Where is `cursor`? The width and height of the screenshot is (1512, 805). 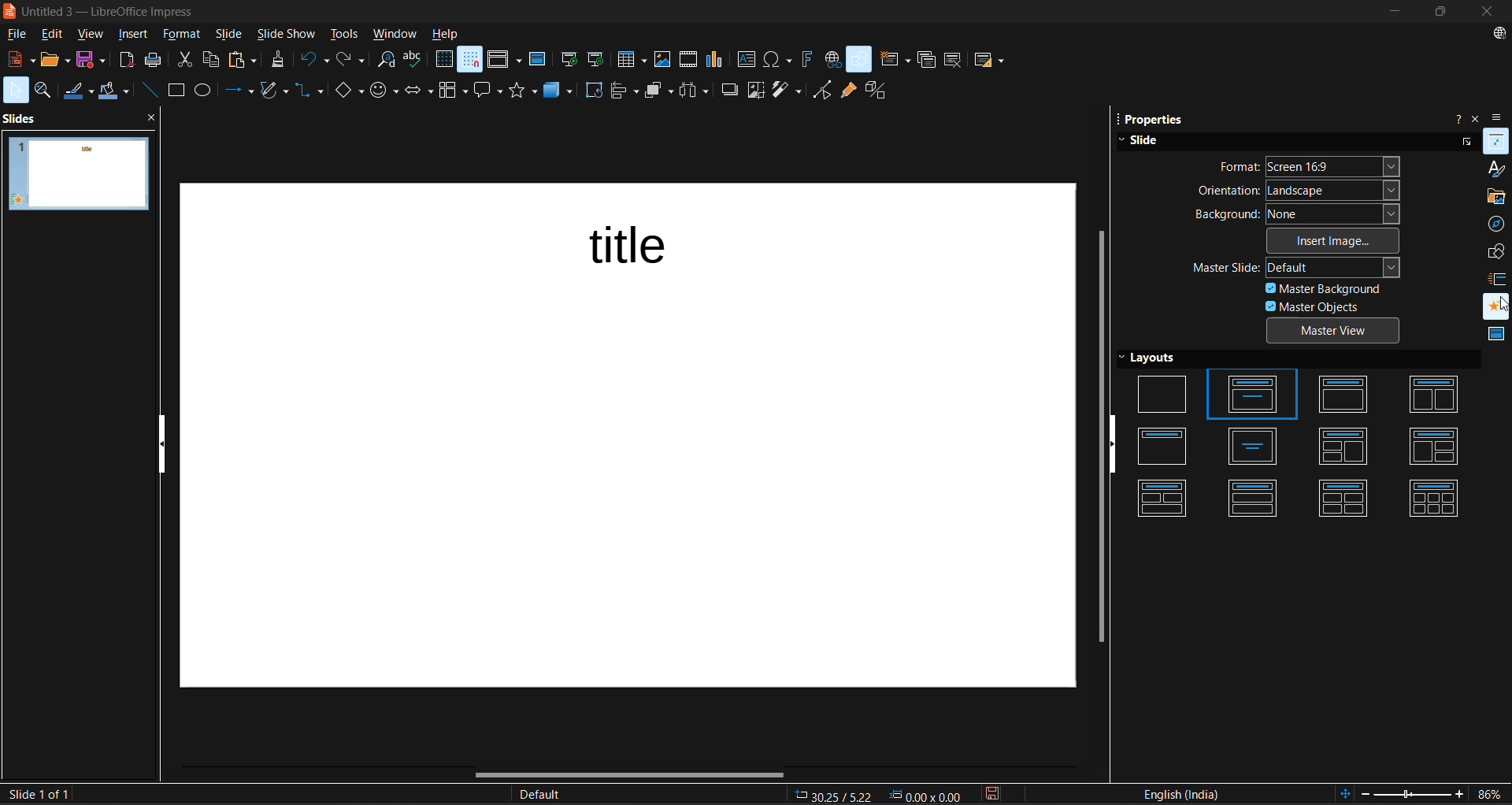 cursor is located at coordinates (1499, 302).